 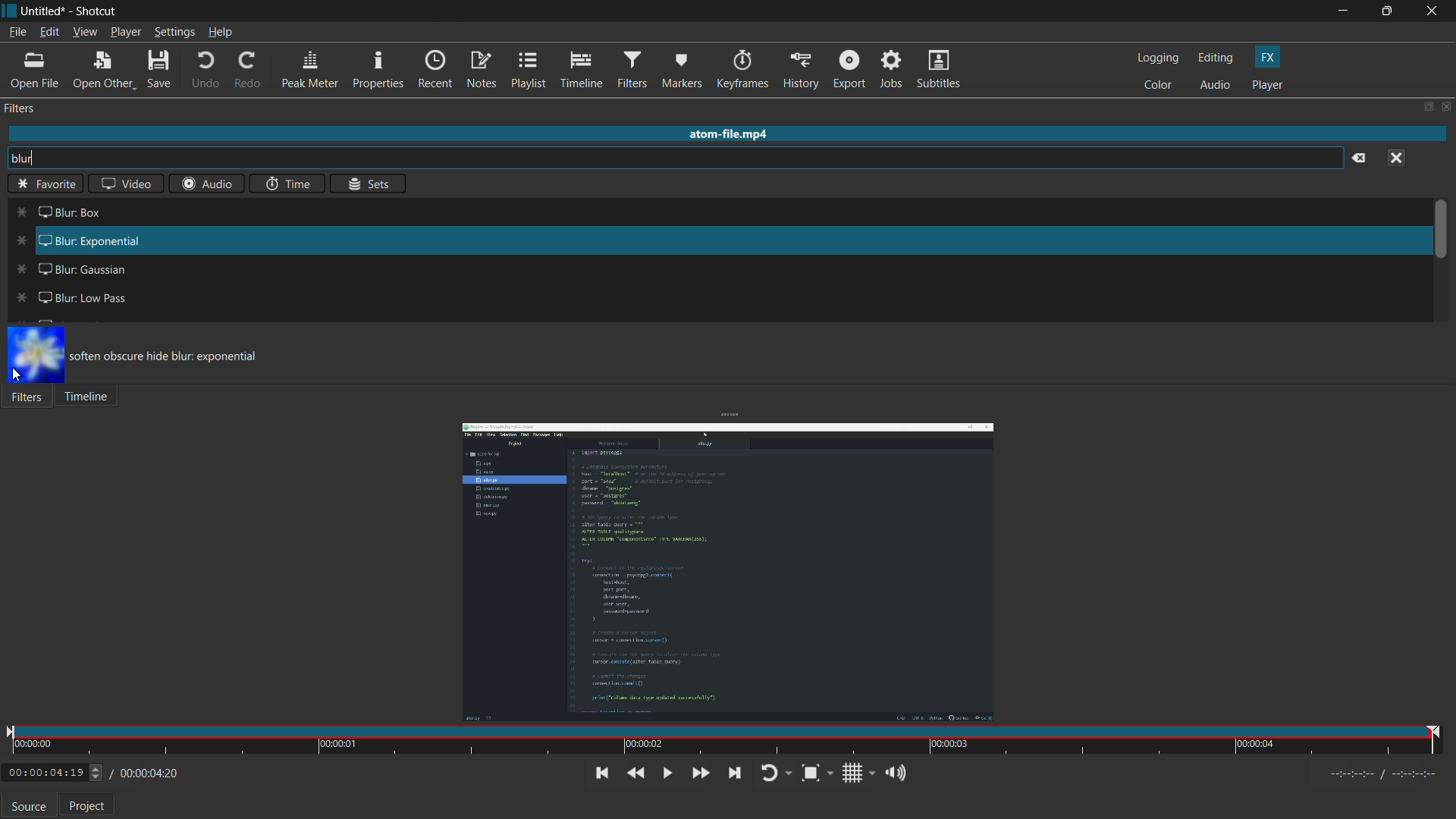 I want to click on filters, so click(x=630, y=71).